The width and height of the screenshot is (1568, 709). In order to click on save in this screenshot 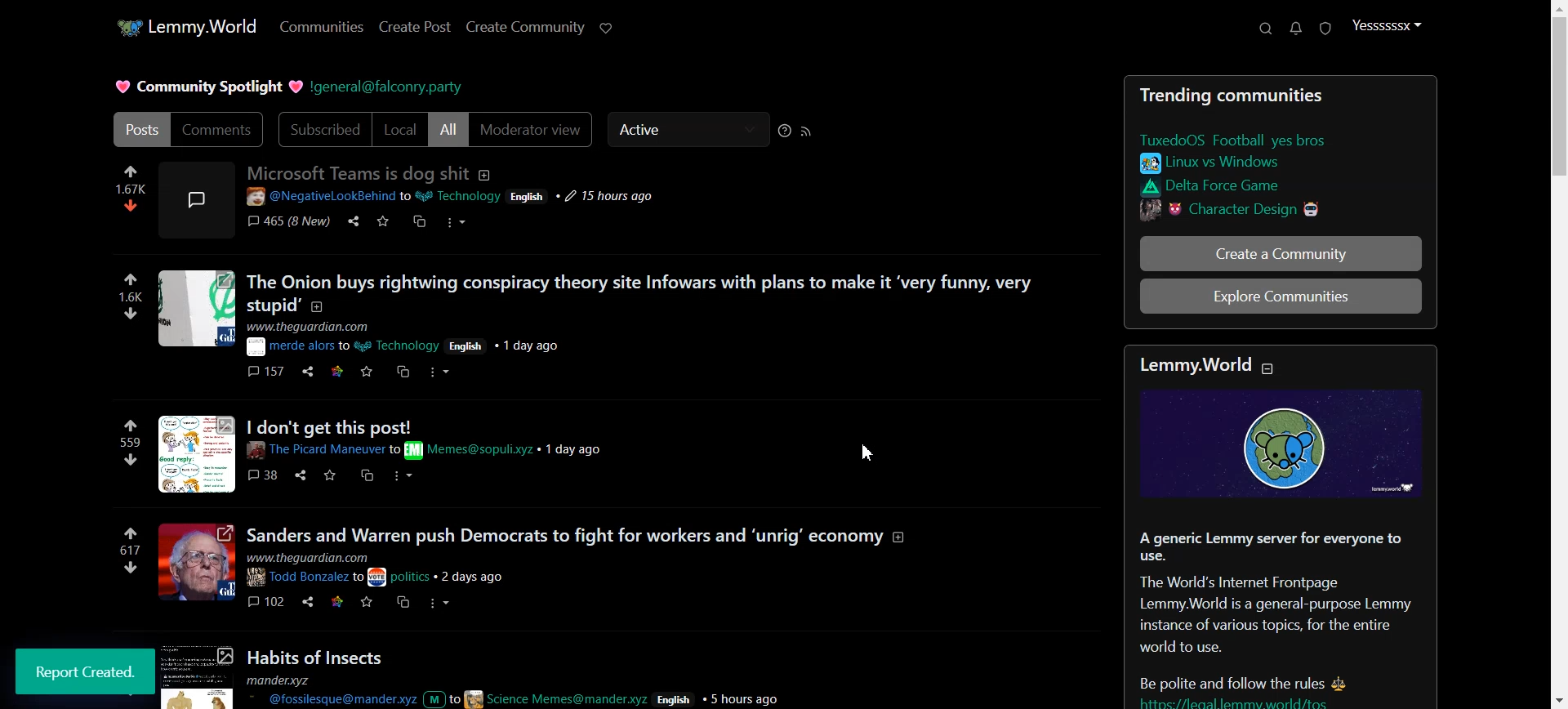, I will do `click(331, 476)`.